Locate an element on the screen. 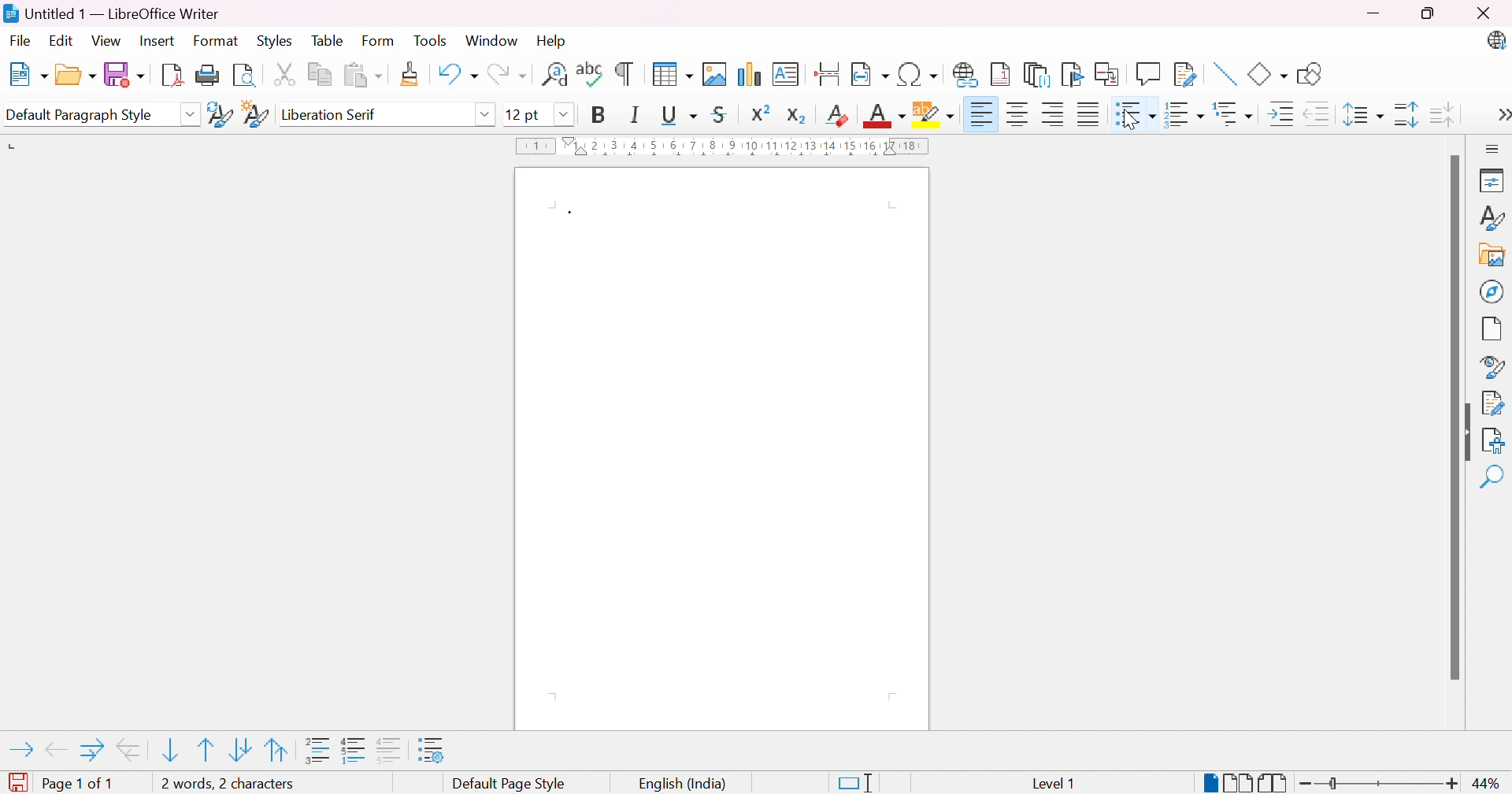  Drop down is located at coordinates (190, 113).